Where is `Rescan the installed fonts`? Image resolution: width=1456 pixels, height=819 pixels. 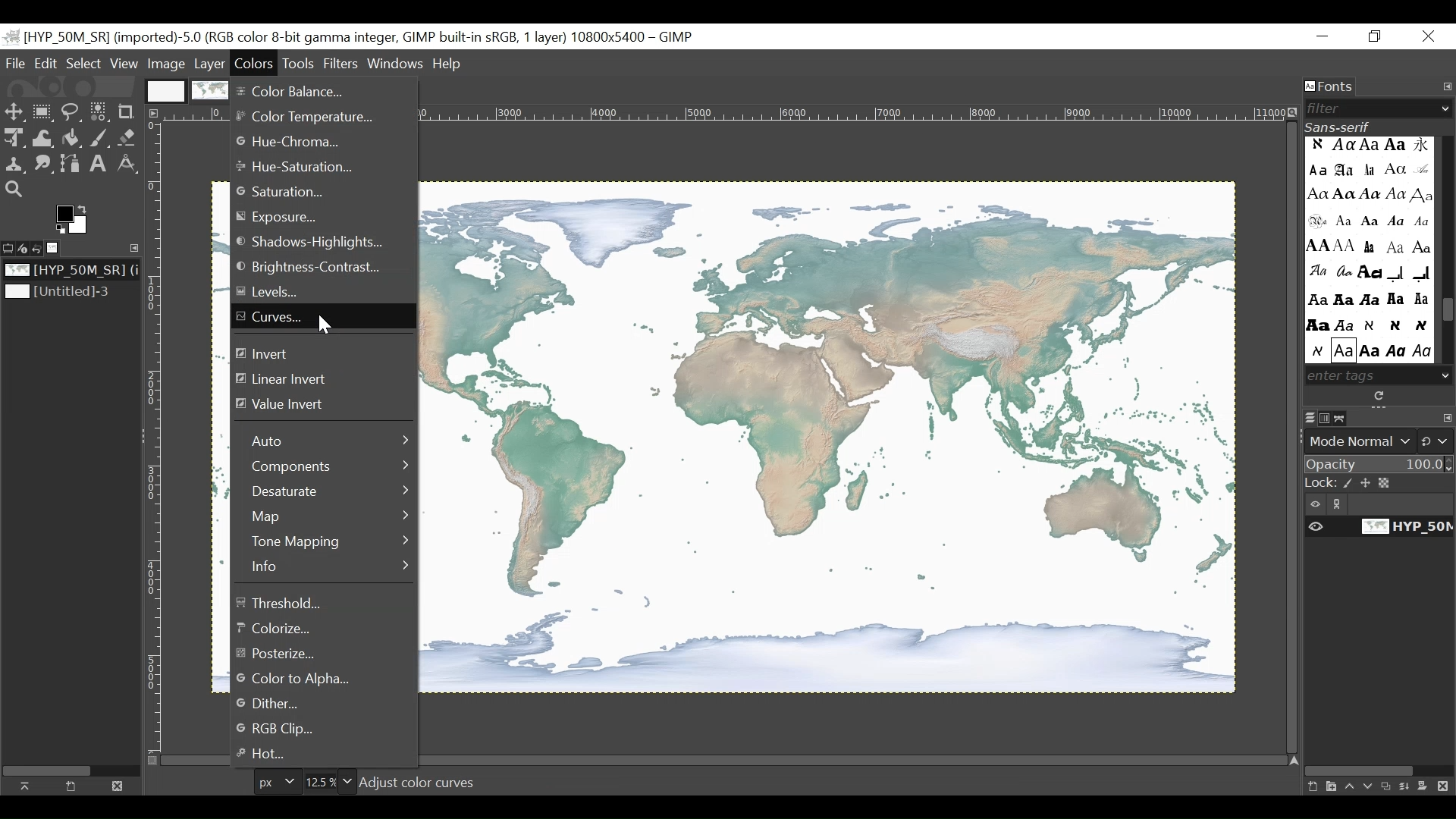 Rescan the installed fonts is located at coordinates (1381, 396).